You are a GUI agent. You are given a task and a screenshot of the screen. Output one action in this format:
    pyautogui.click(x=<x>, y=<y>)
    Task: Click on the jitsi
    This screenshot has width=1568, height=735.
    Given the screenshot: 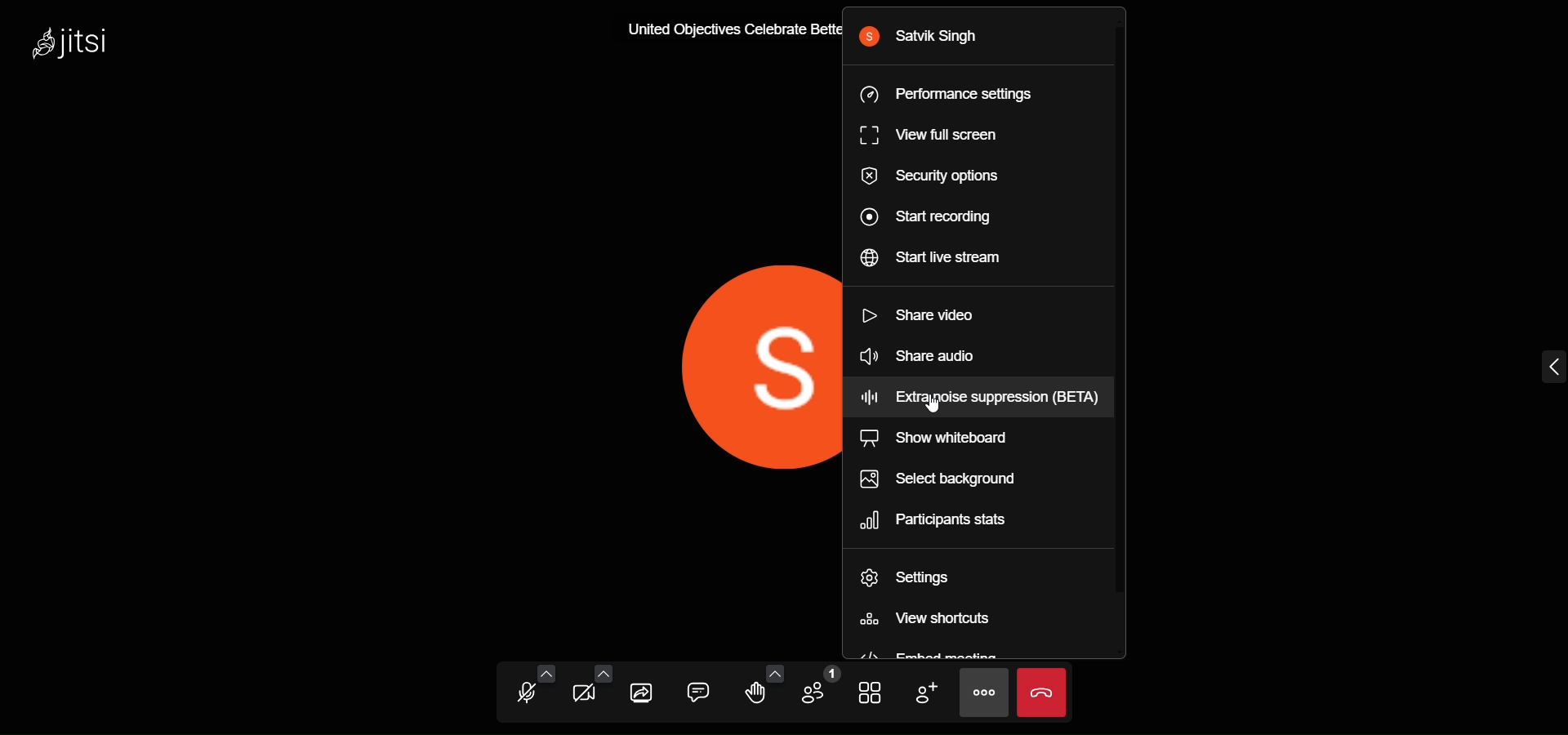 What is the action you would take?
    pyautogui.click(x=69, y=39)
    